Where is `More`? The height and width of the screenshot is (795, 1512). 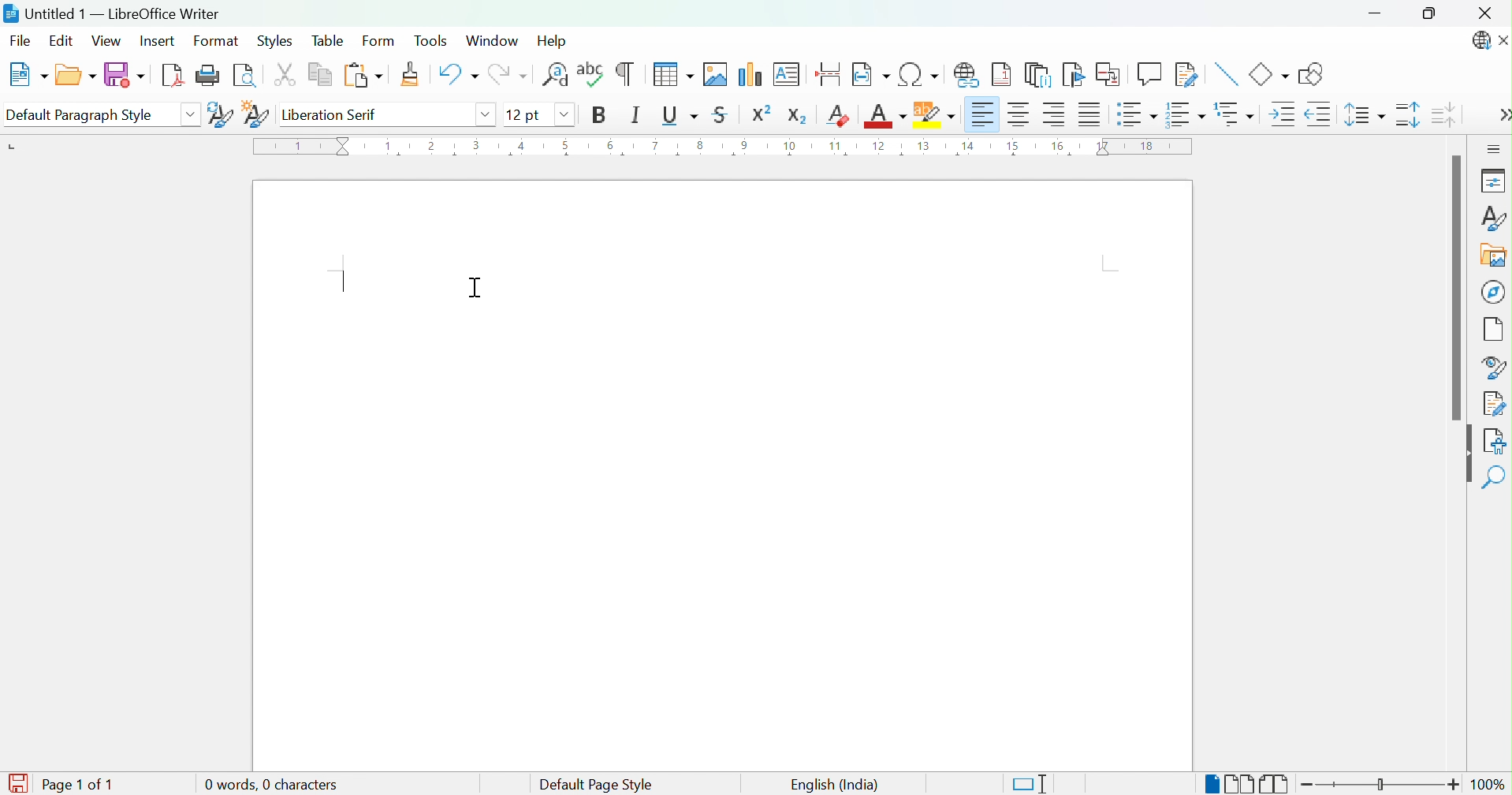 More is located at coordinates (1503, 117).